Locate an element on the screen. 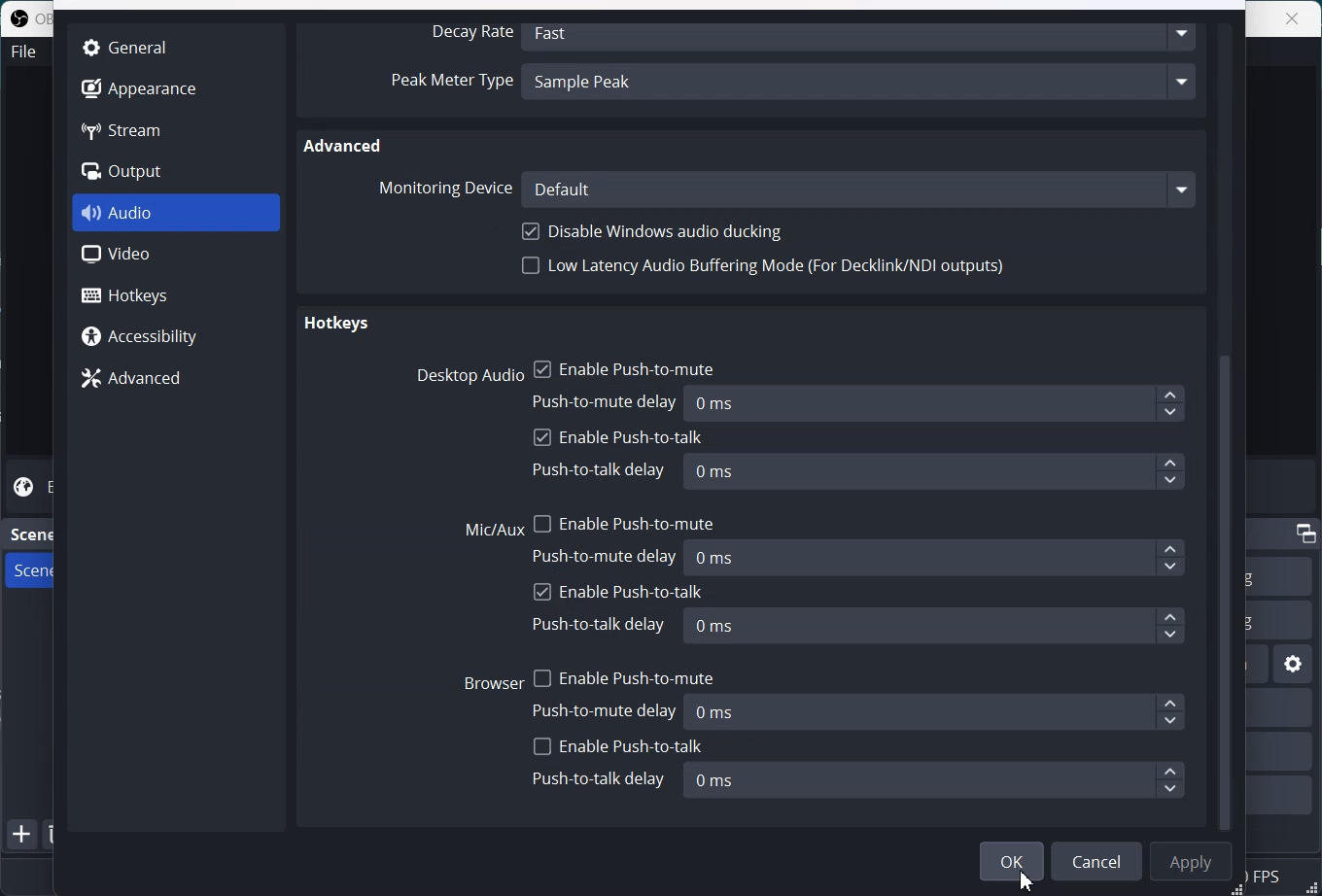 The height and width of the screenshot is (896, 1322). Disable Windows audio ducking is located at coordinates (656, 231).